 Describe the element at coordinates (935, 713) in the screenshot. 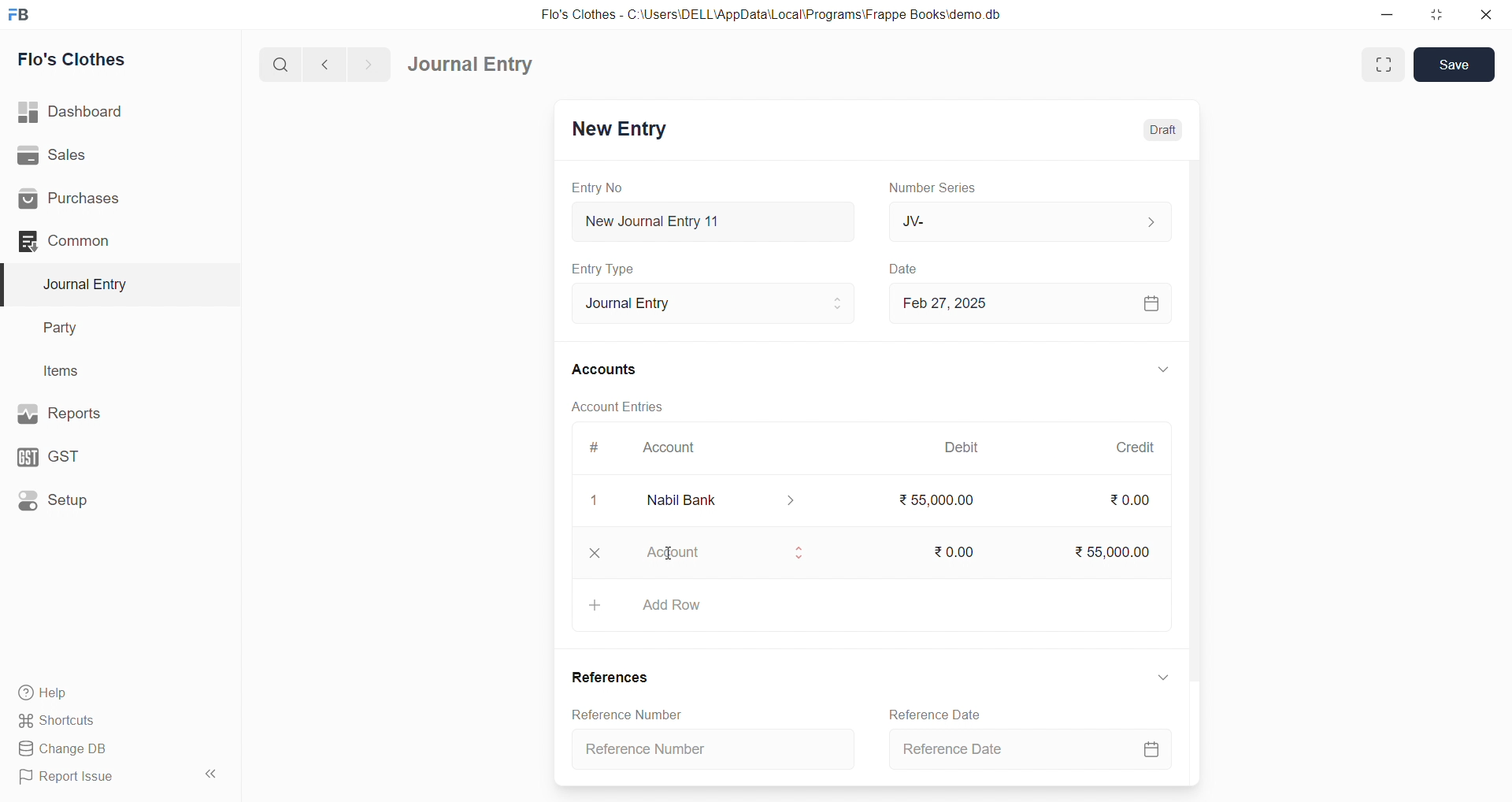

I see `Reference Date` at that location.